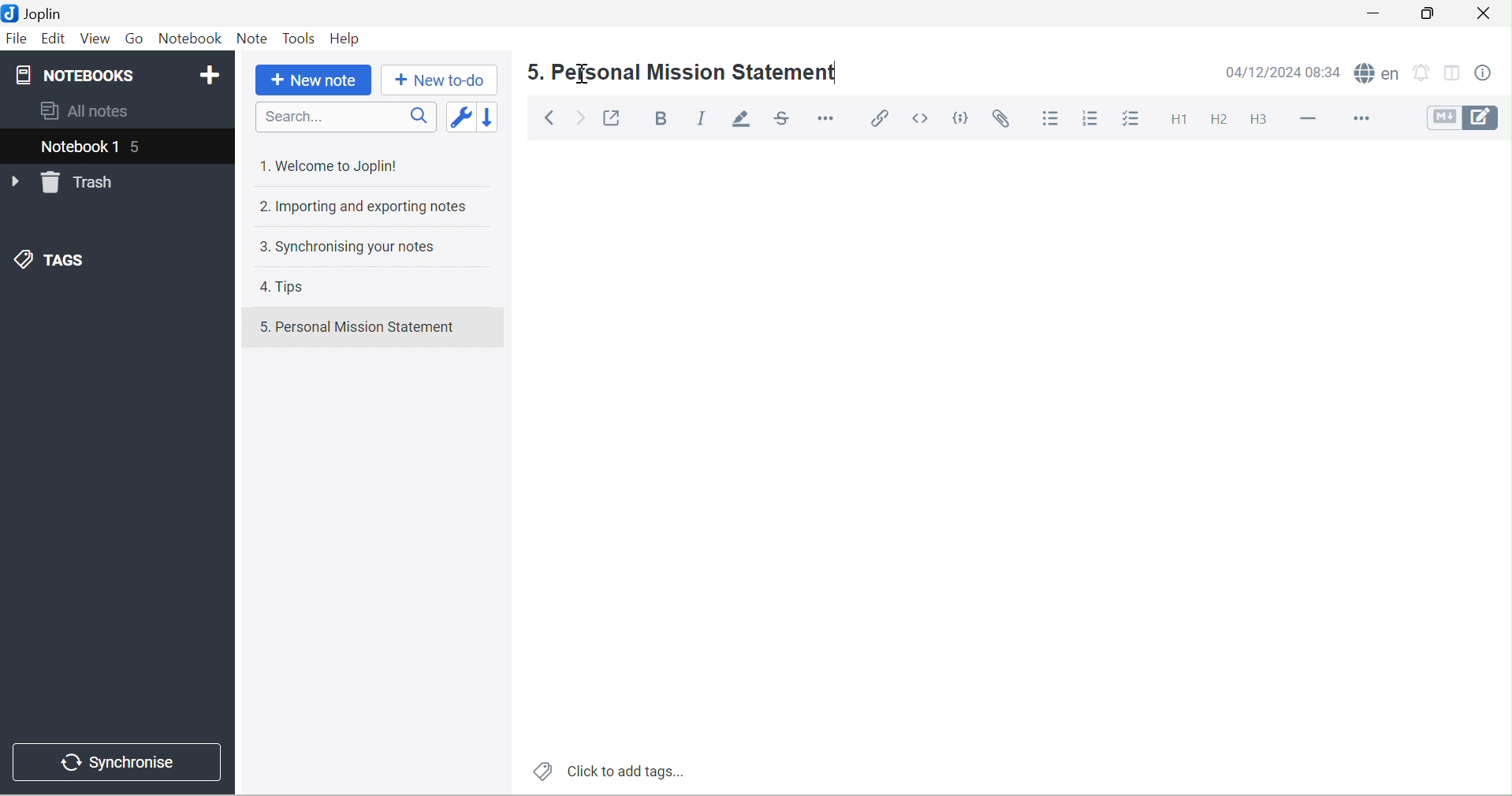 The height and width of the screenshot is (796, 1512). What do you see at coordinates (1261, 120) in the screenshot?
I see `Heading 3` at bounding box center [1261, 120].